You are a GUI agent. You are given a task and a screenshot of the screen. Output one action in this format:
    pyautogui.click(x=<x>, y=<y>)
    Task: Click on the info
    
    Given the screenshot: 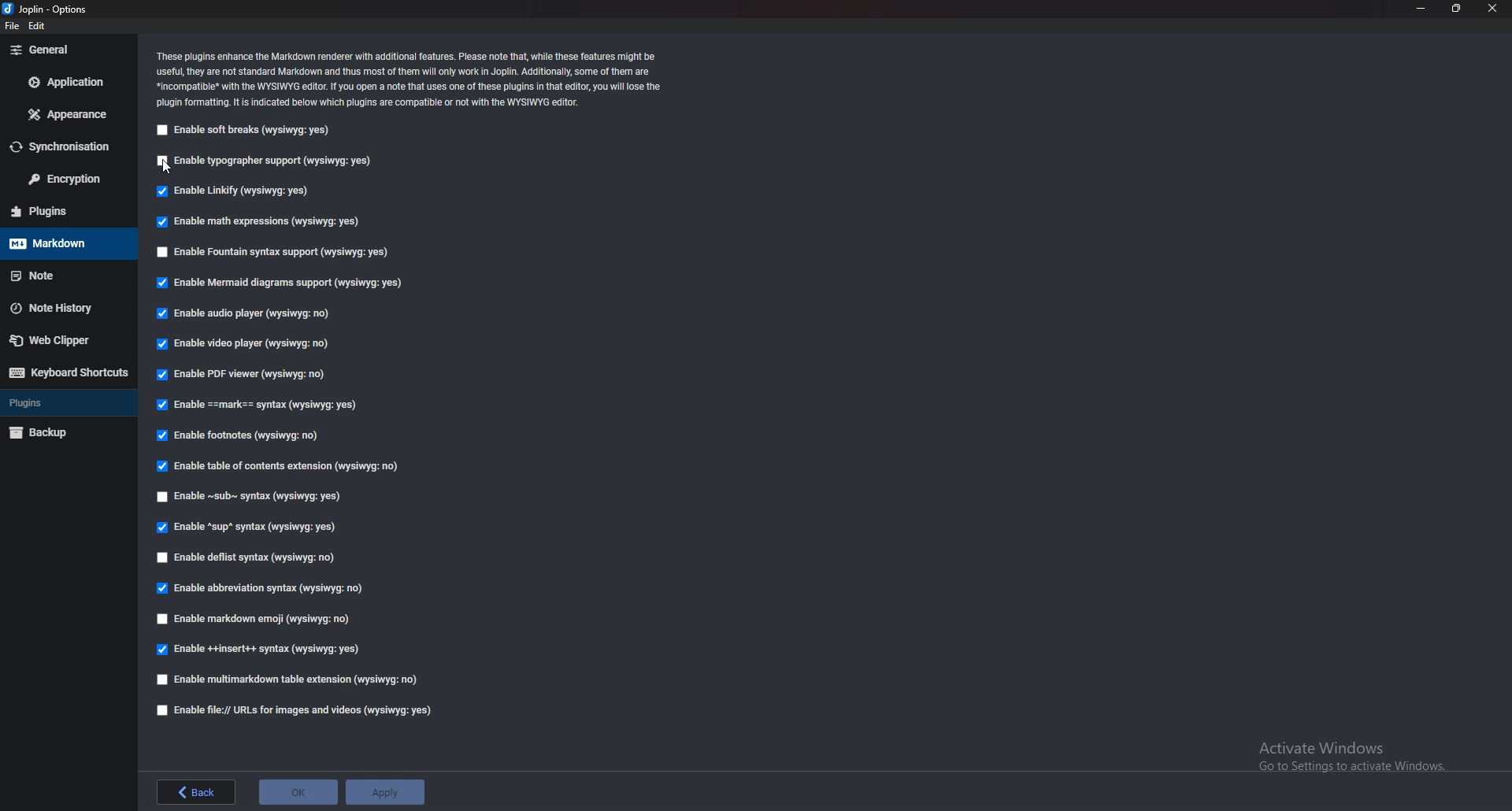 What is the action you would take?
    pyautogui.click(x=412, y=79)
    